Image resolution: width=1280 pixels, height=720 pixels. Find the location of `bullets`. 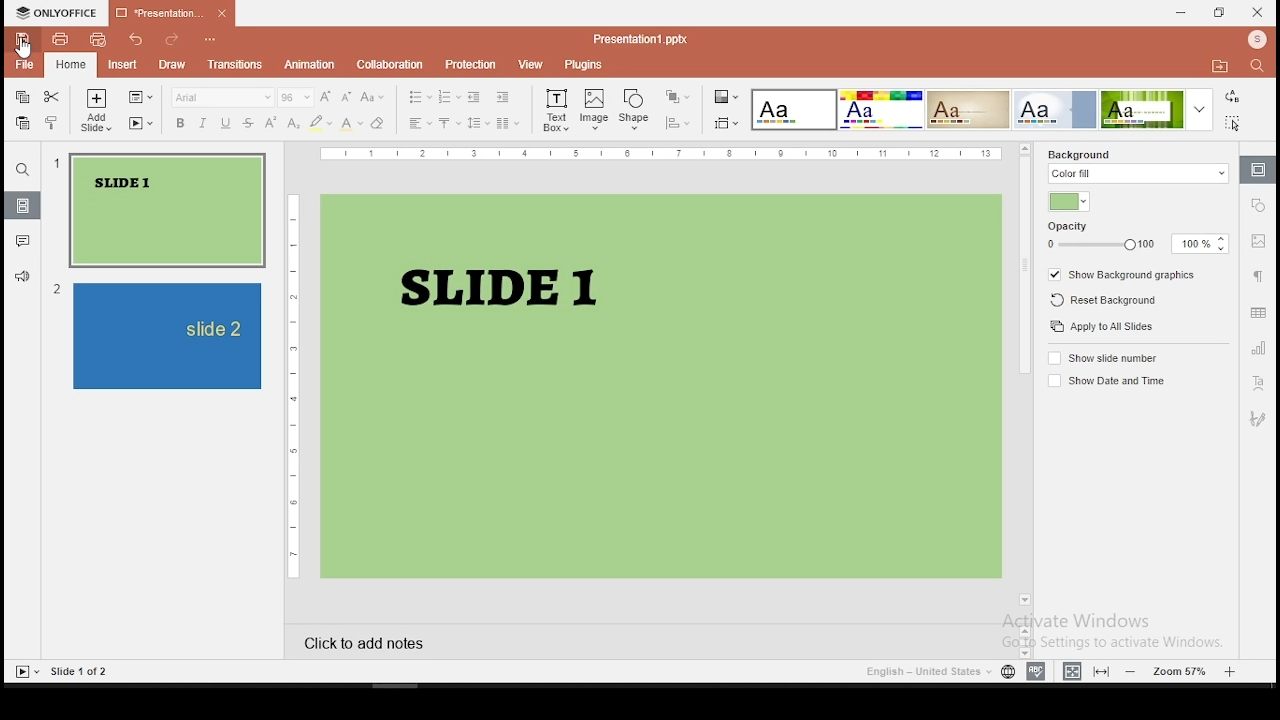

bullets is located at coordinates (419, 97).